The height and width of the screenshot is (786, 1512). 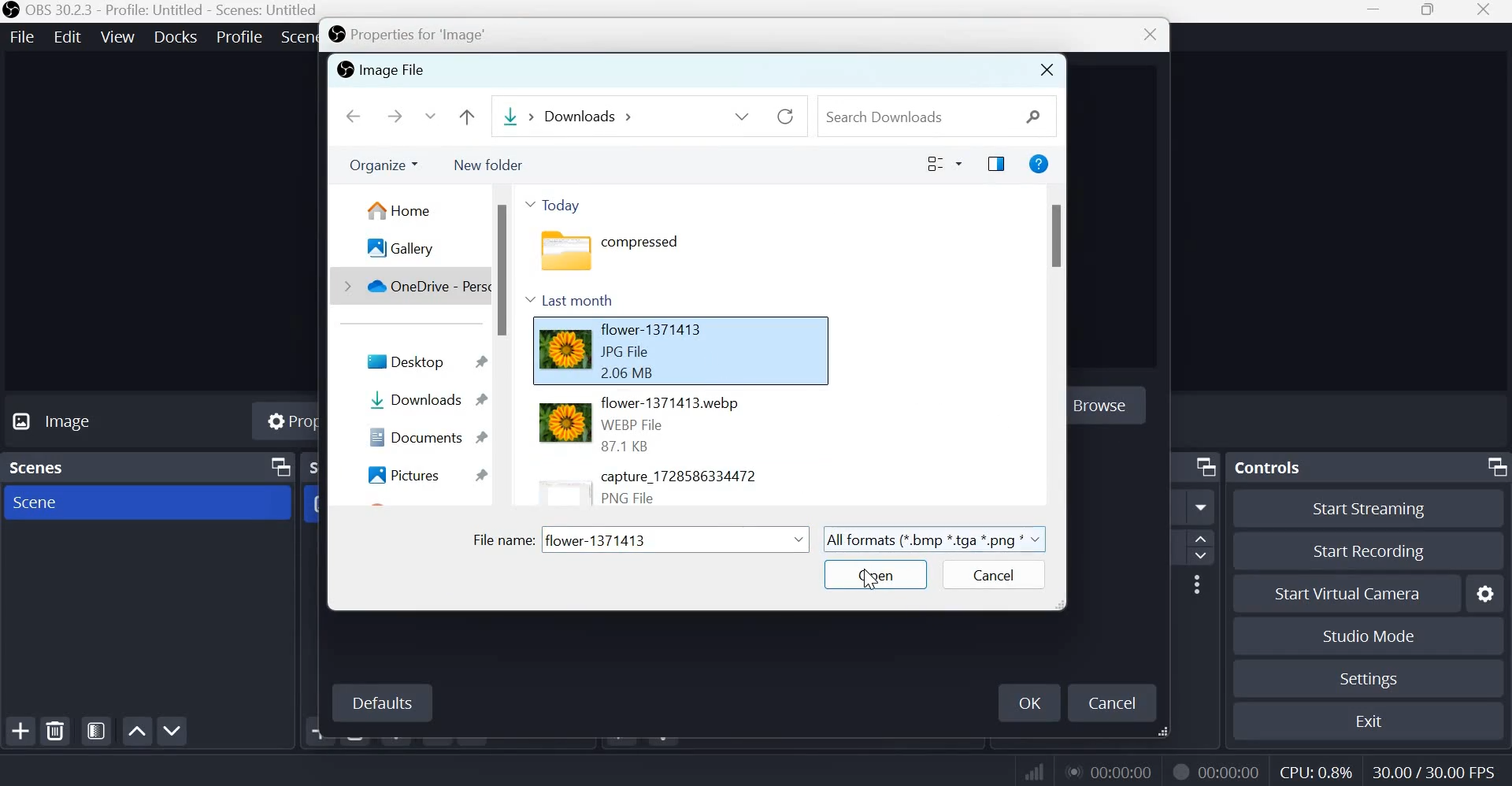 I want to click on File name:, so click(x=498, y=542).